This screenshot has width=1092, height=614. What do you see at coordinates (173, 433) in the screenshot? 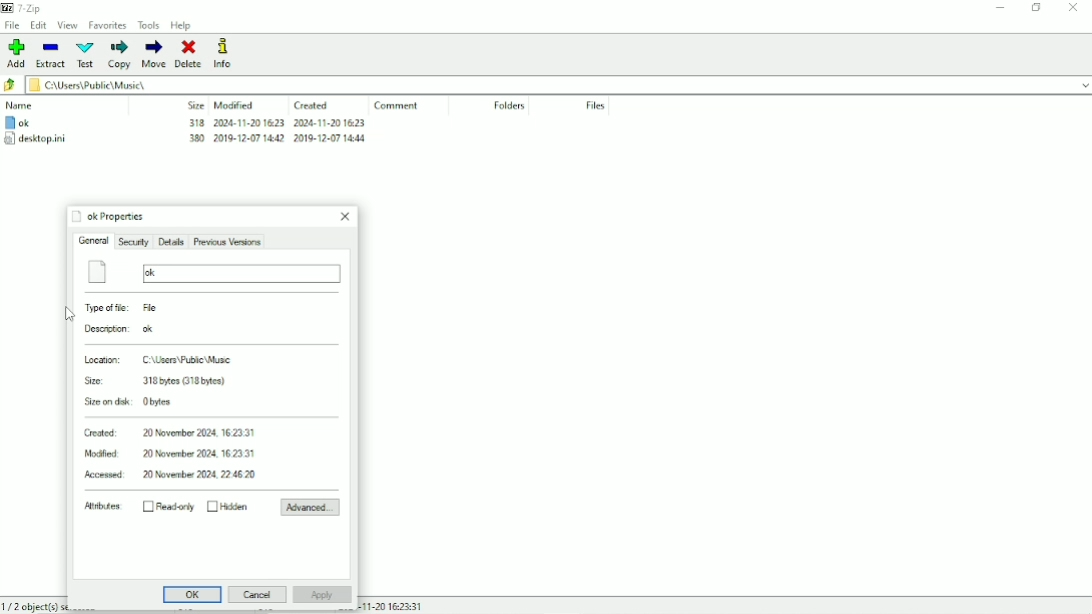
I see `Created` at bounding box center [173, 433].